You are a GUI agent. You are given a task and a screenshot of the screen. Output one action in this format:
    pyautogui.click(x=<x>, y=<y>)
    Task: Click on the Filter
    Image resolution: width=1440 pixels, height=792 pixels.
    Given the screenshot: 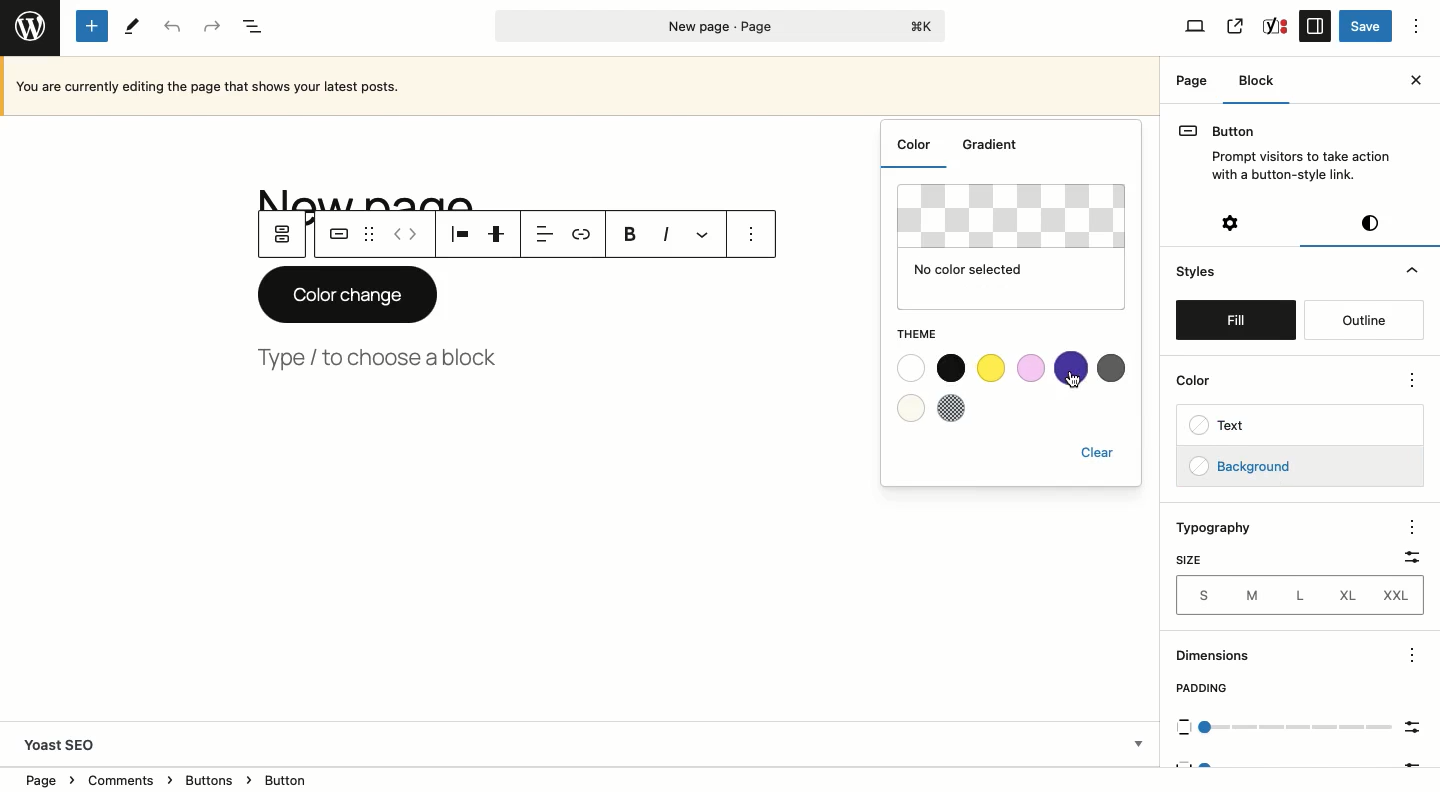 What is the action you would take?
    pyautogui.click(x=1406, y=557)
    